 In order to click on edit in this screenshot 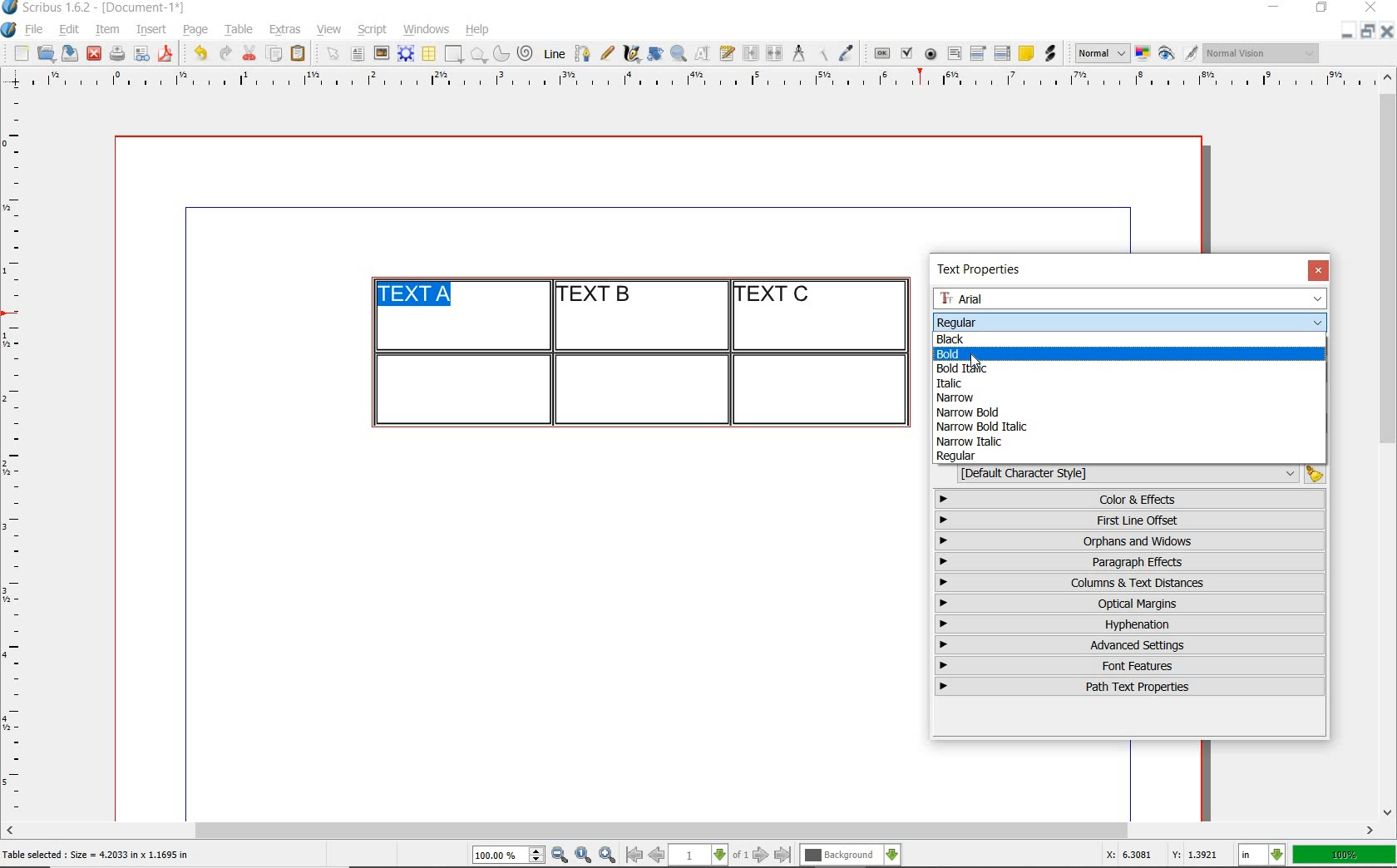, I will do `click(70, 29)`.